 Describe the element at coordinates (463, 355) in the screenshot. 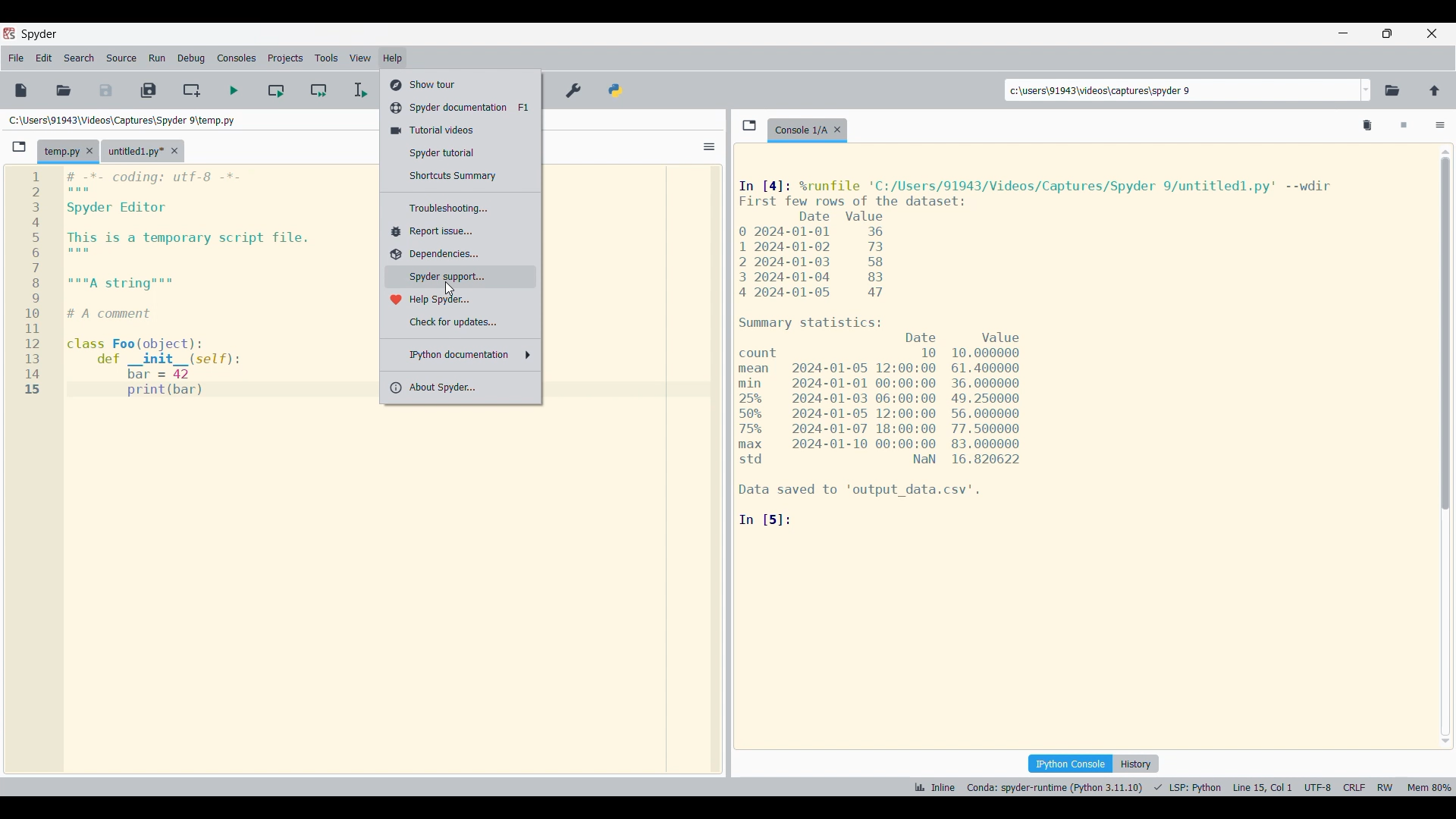

I see `IPython documentation options` at that location.